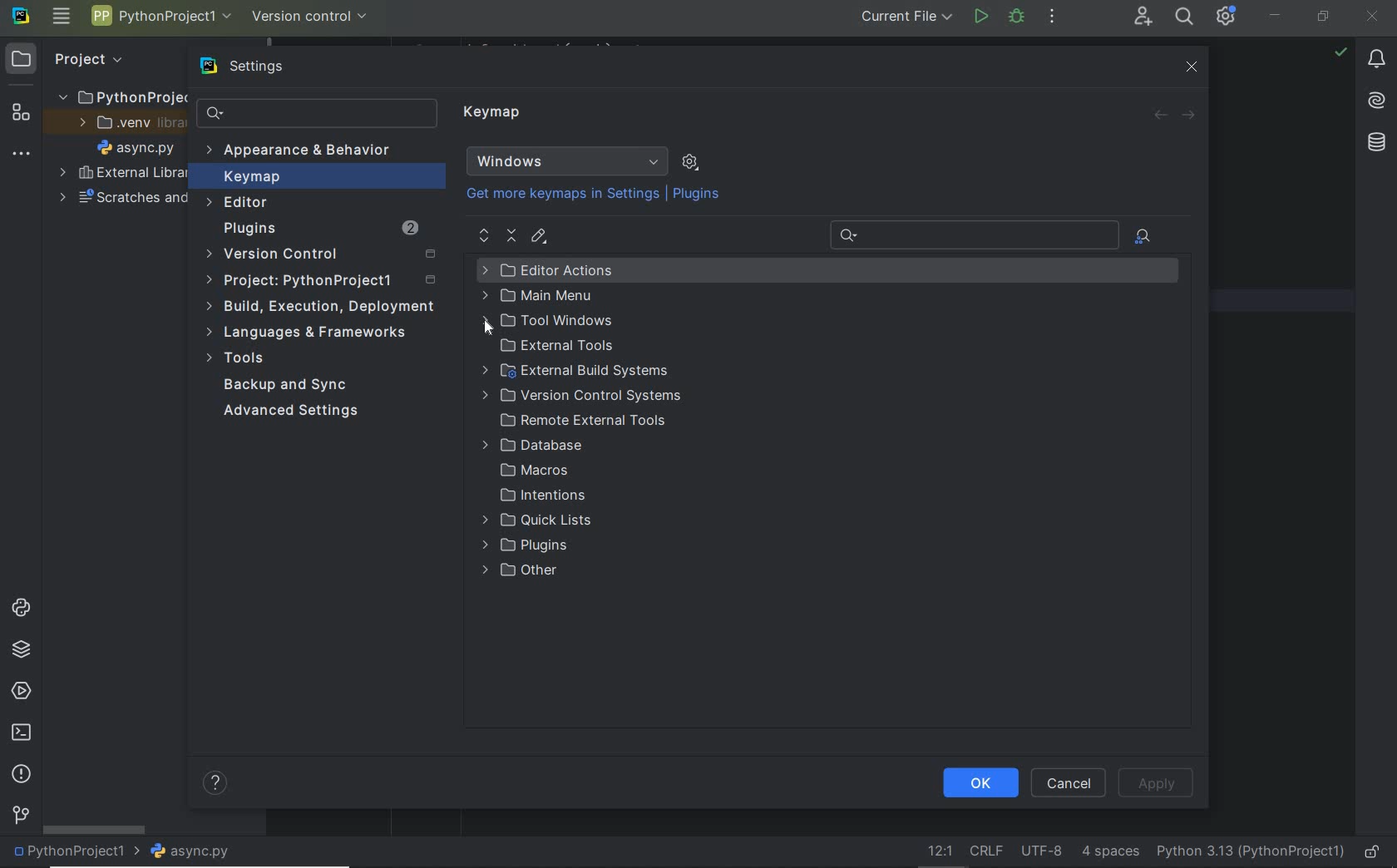 The image size is (1397, 868). Describe the element at coordinates (540, 238) in the screenshot. I see `editor shortcut` at that location.